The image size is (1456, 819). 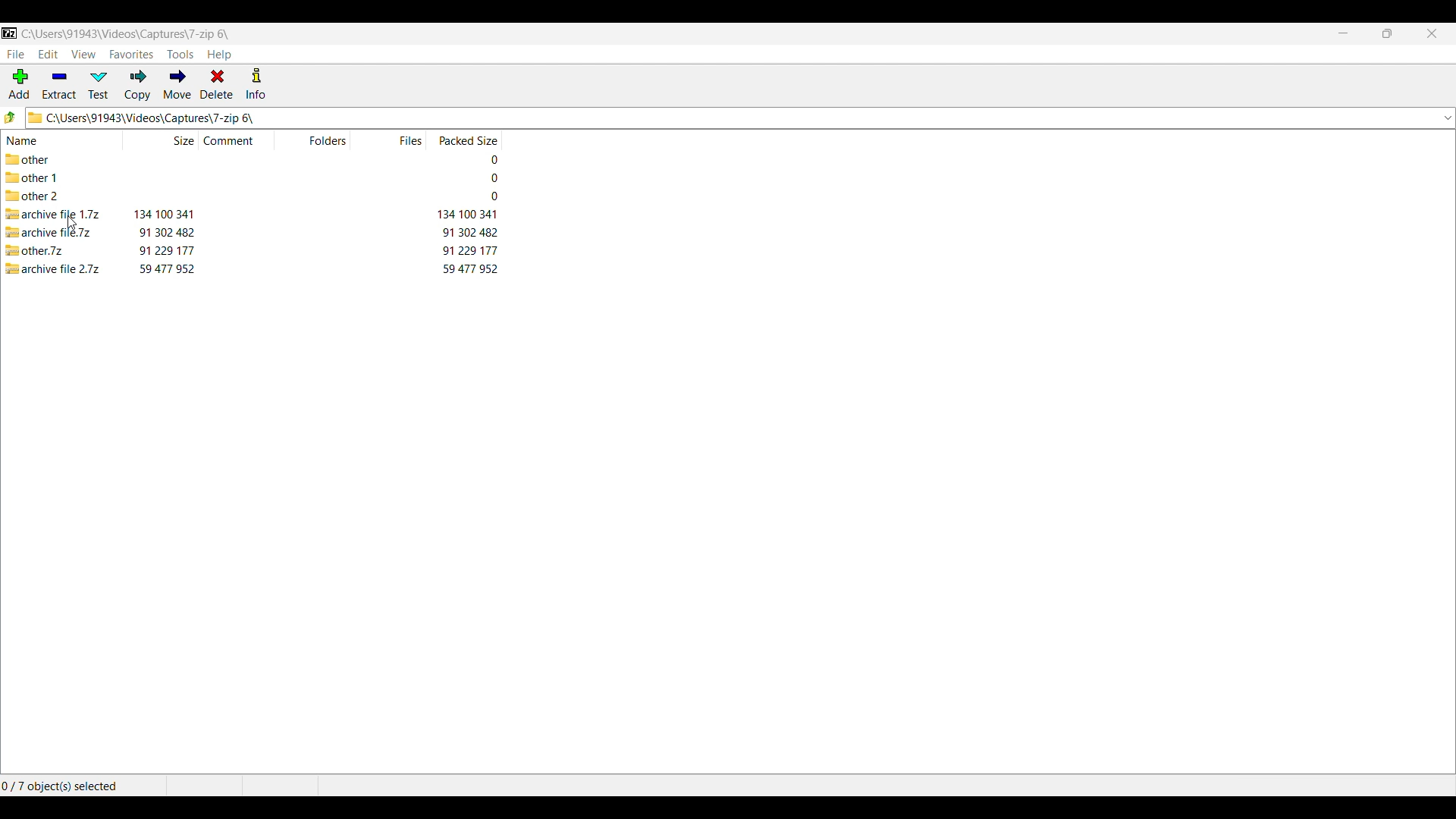 I want to click on Edit, so click(x=49, y=54).